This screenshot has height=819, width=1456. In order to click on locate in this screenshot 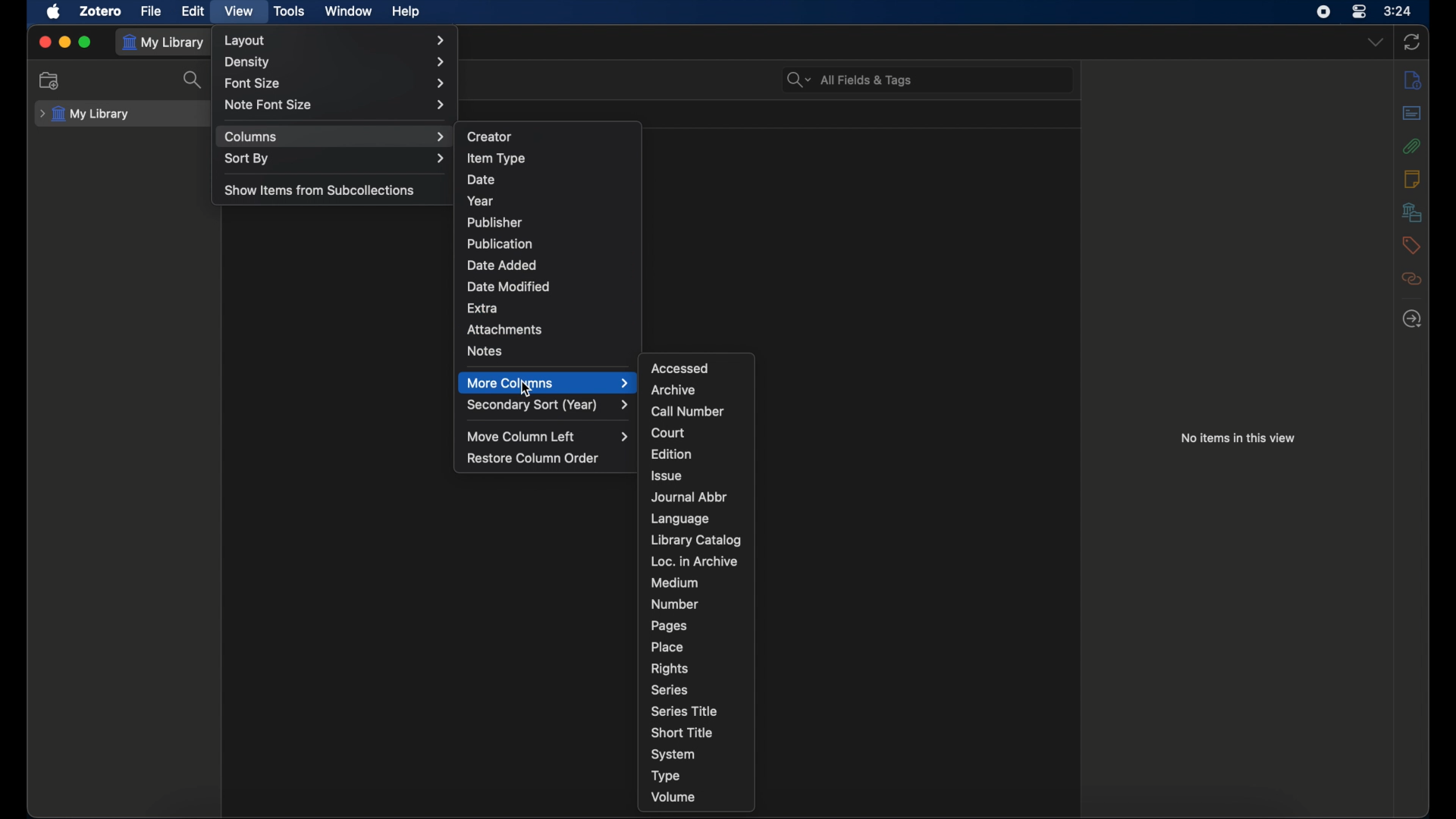, I will do `click(1414, 319)`.